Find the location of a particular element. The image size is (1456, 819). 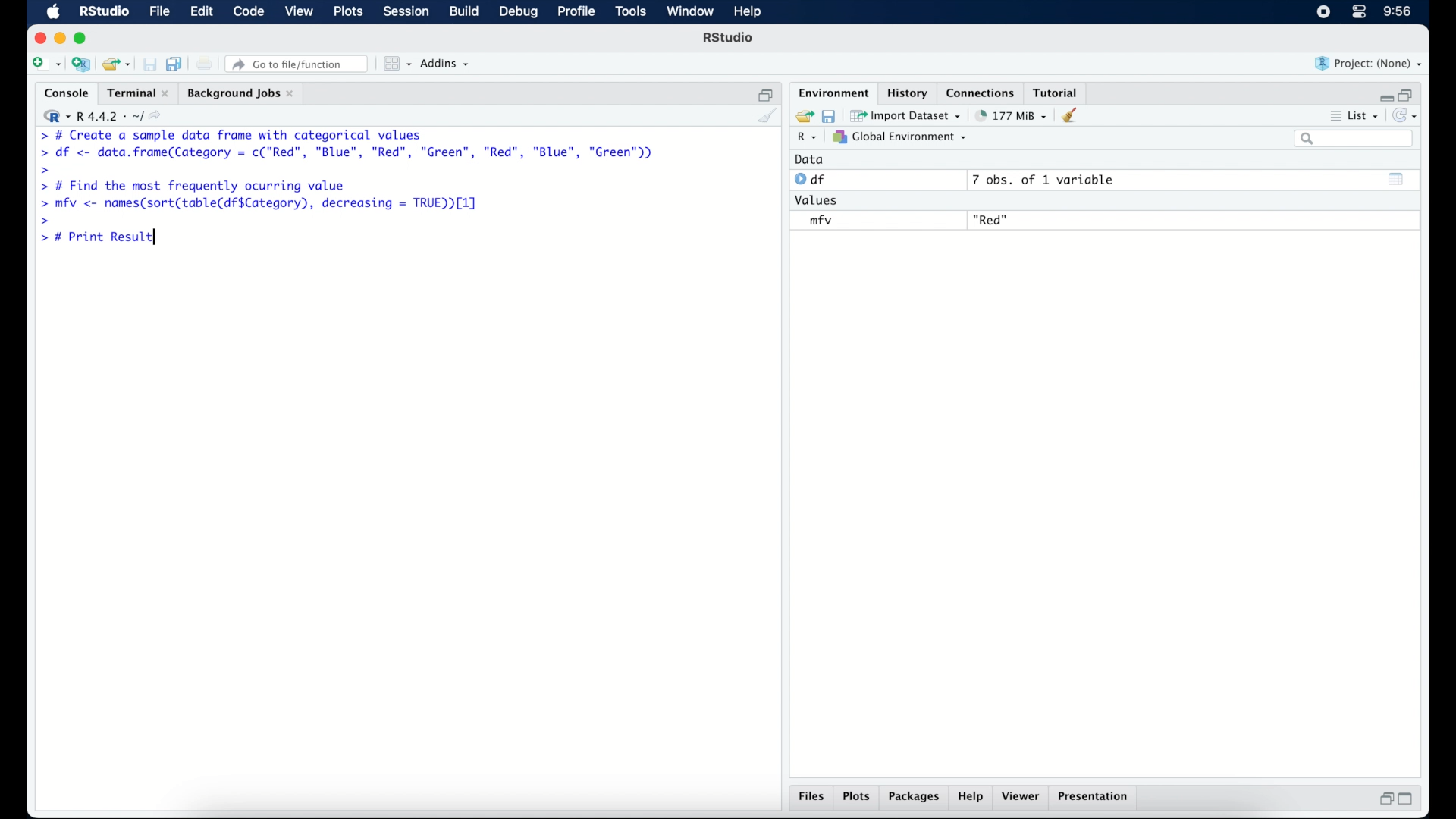

save is located at coordinates (828, 116).